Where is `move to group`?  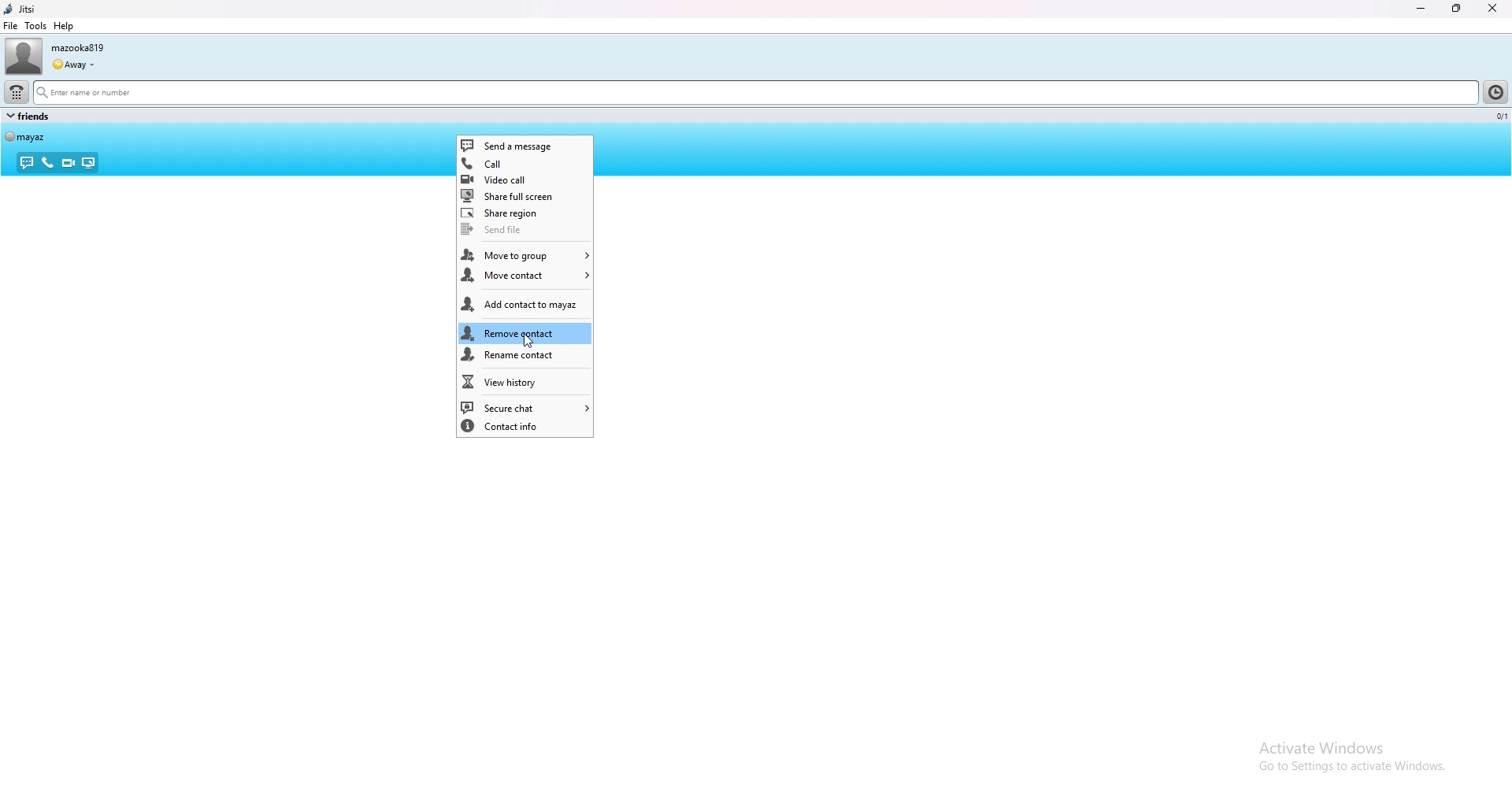 move to group is located at coordinates (525, 256).